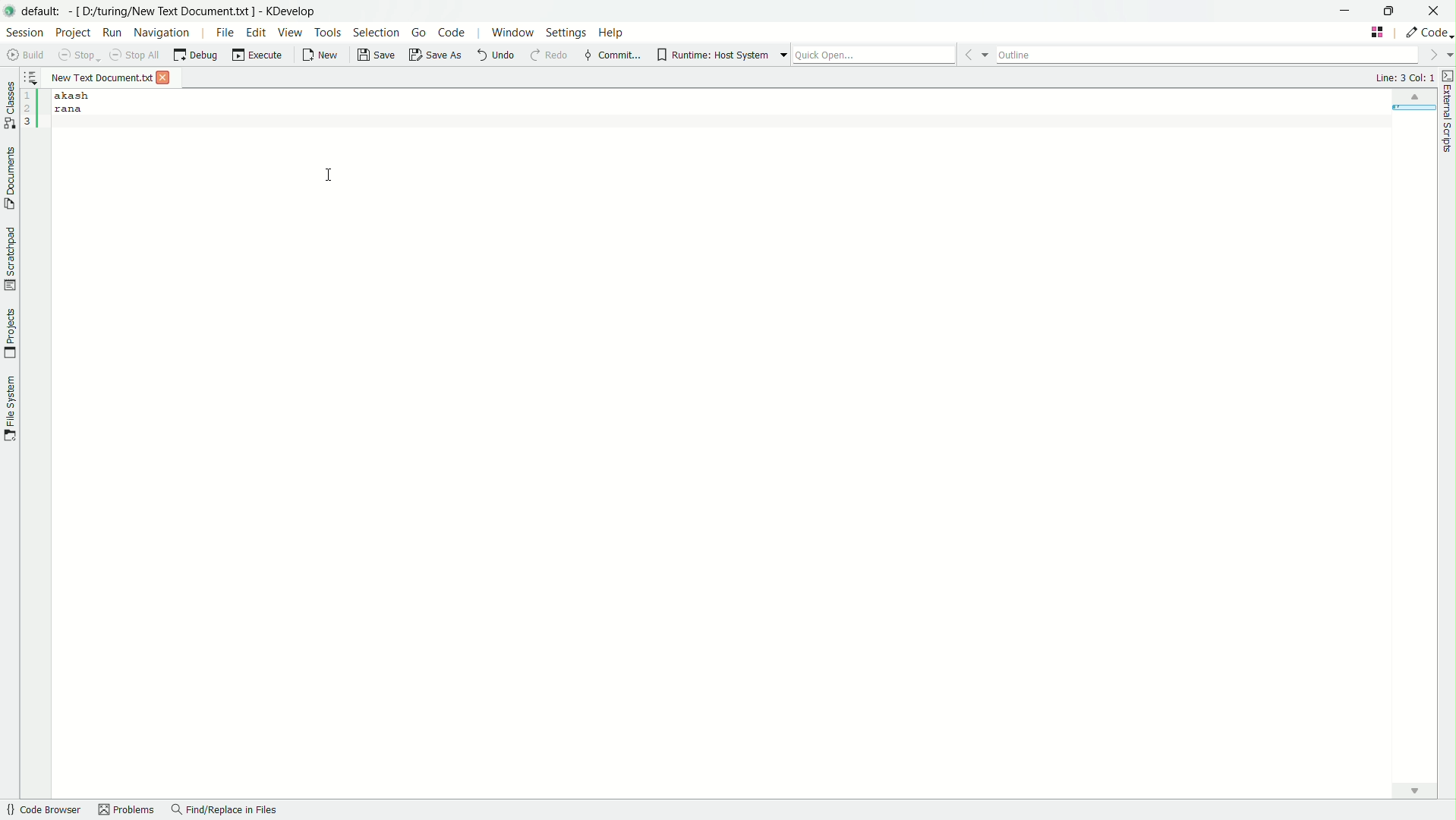  I want to click on view menu, so click(288, 31).